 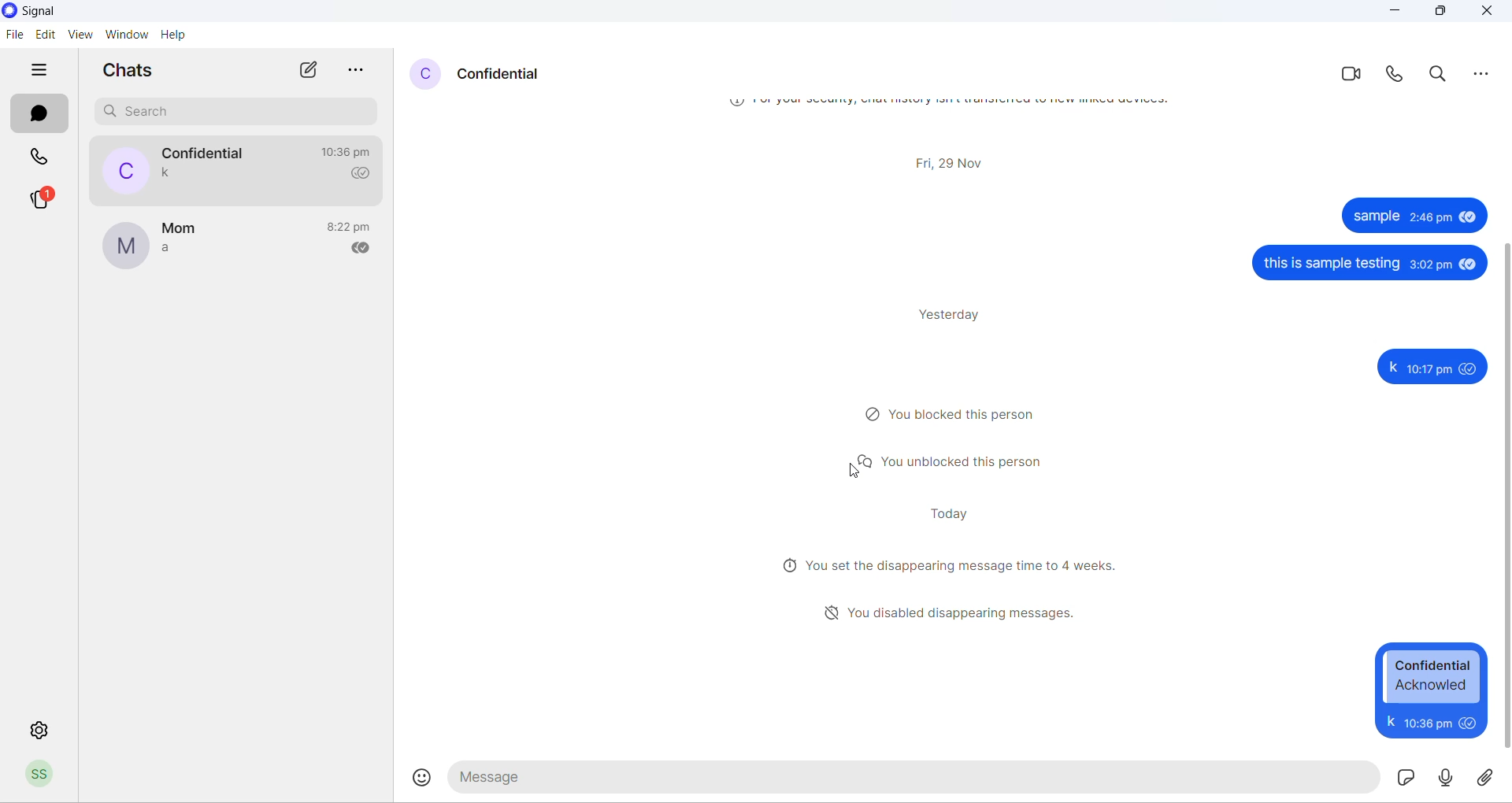 I want to click on stories, so click(x=40, y=198).